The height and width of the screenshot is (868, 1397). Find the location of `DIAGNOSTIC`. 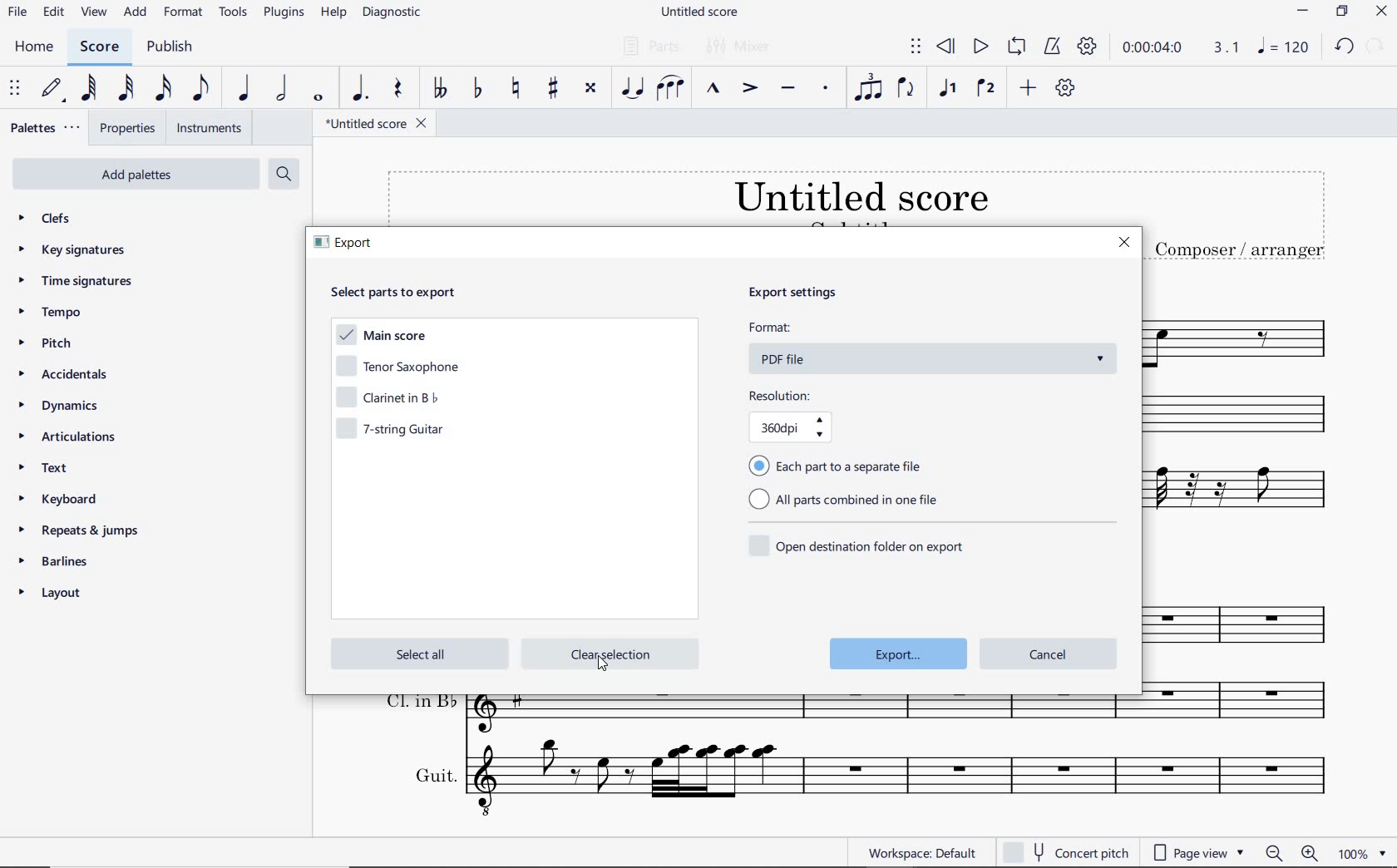

DIAGNOSTIC is located at coordinates (392, 13).